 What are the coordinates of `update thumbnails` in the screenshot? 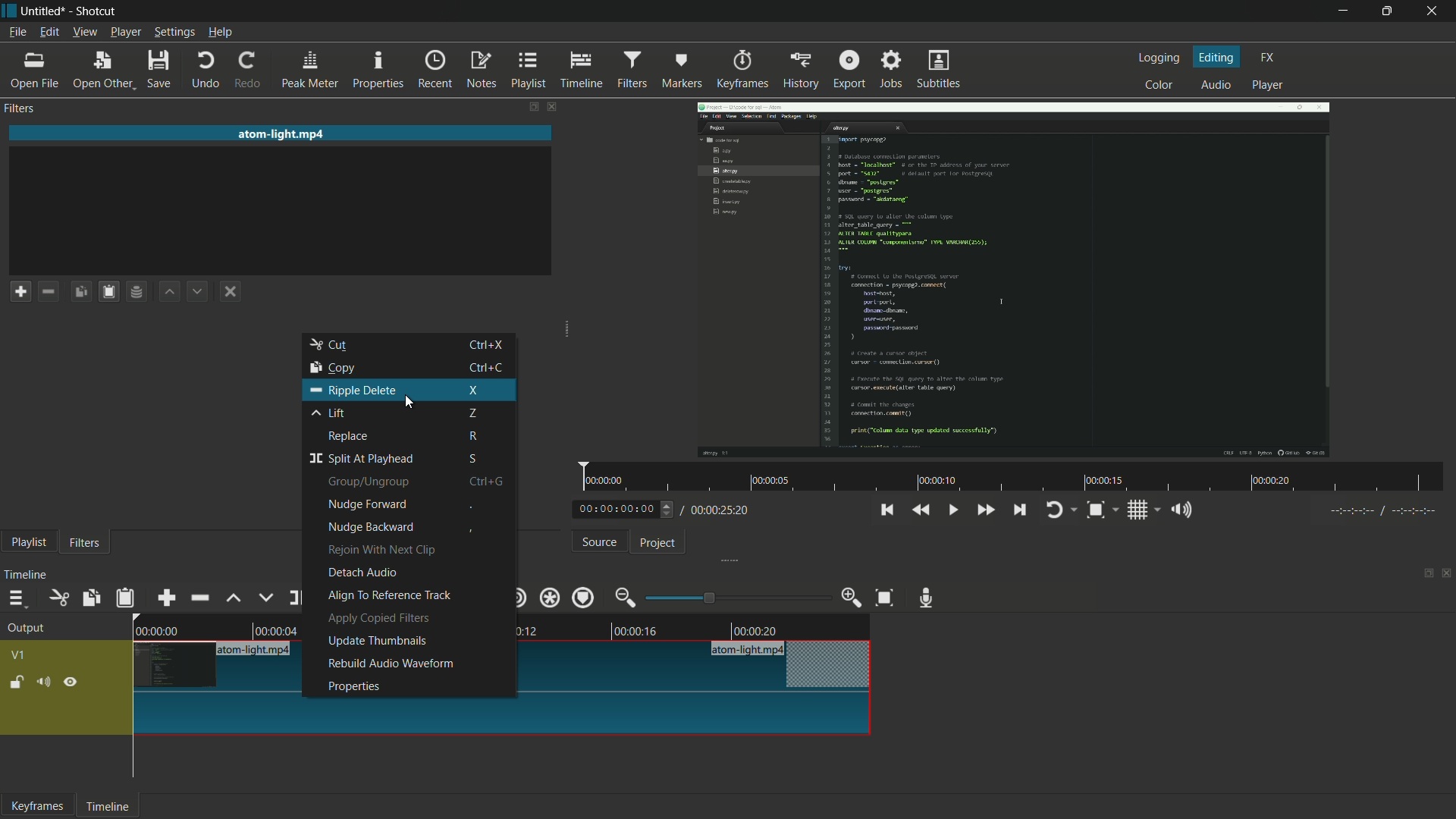 It's located at (376, 642).